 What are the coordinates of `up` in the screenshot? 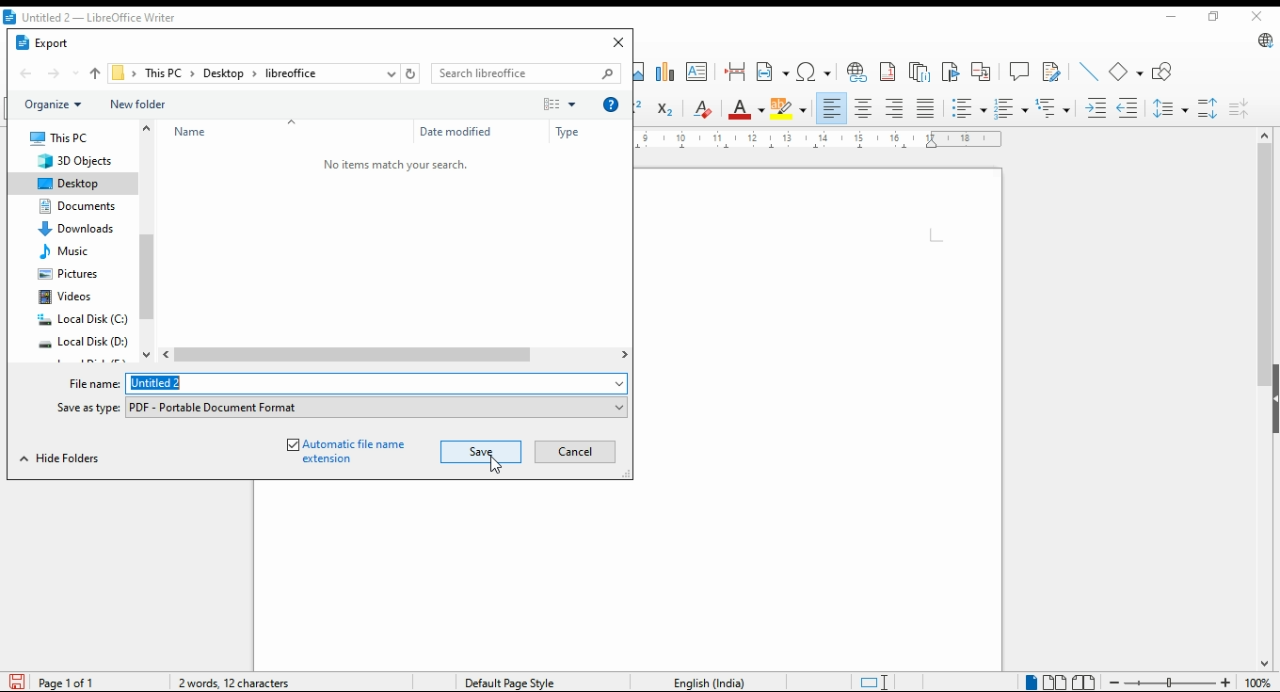 It's located at (95, 75).